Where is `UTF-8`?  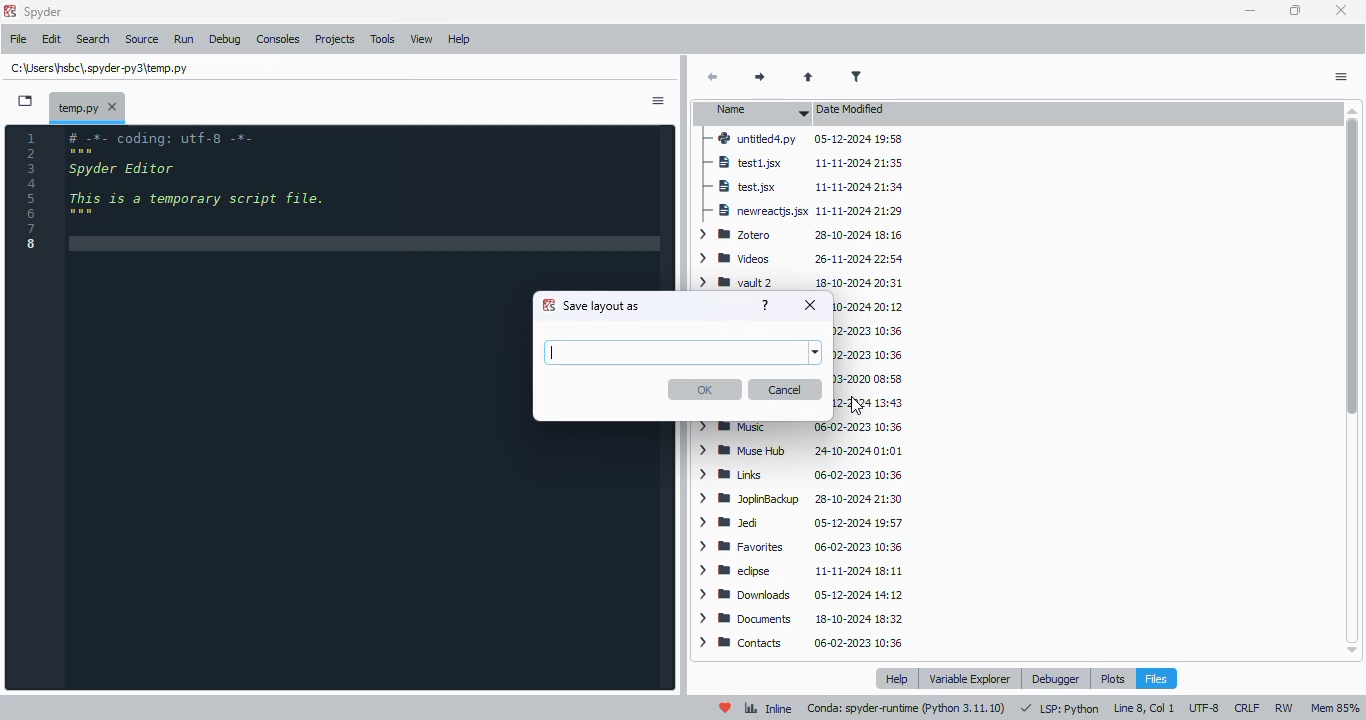
UTF-8 is located at coordinates (1204, 709).